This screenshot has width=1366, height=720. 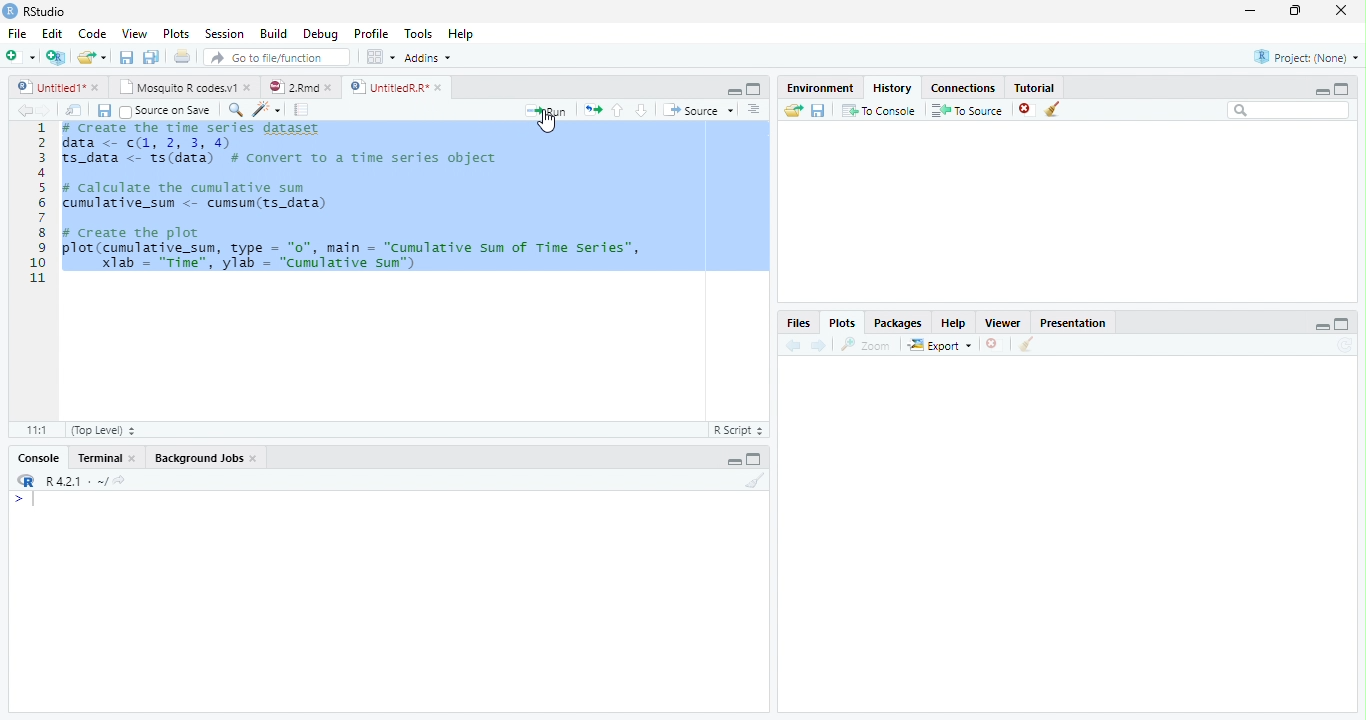 I want to click on Clear Console, so click(x=1026, y=346).